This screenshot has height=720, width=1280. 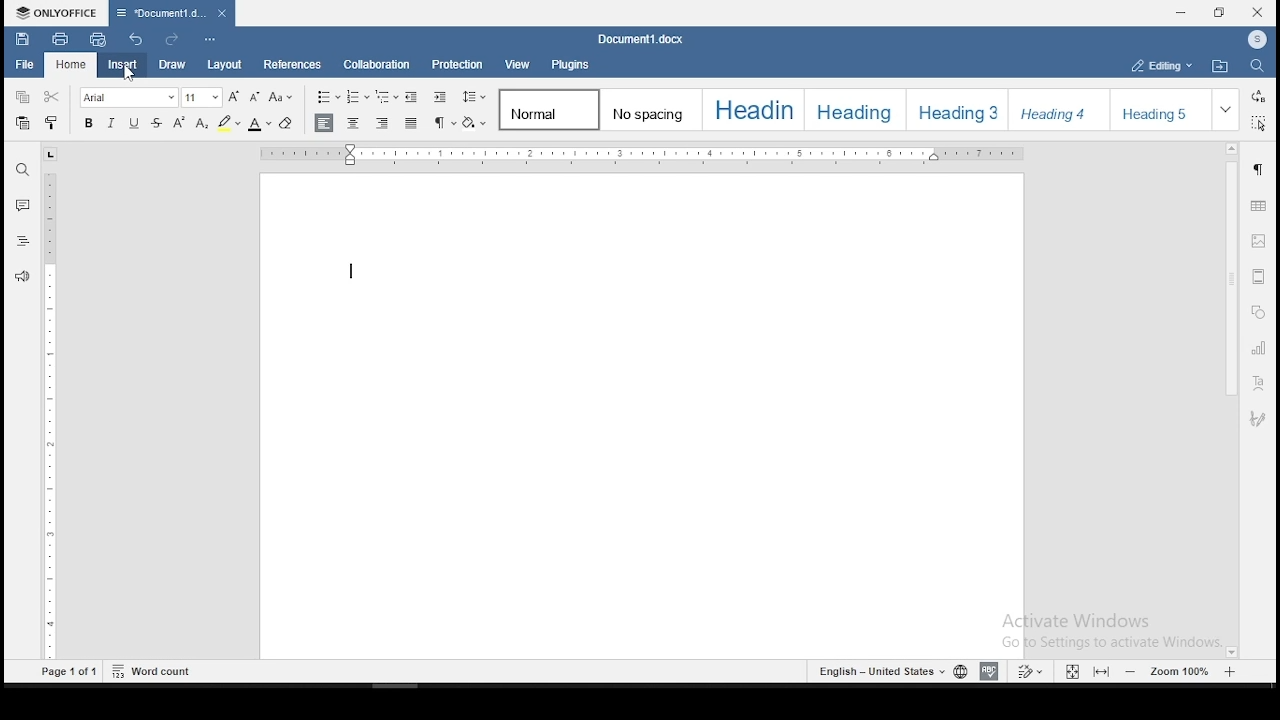 What do you see at coordinates (1159, 64) in the screenshot?
I see `select workspace` at bounding box center [1159, 64].